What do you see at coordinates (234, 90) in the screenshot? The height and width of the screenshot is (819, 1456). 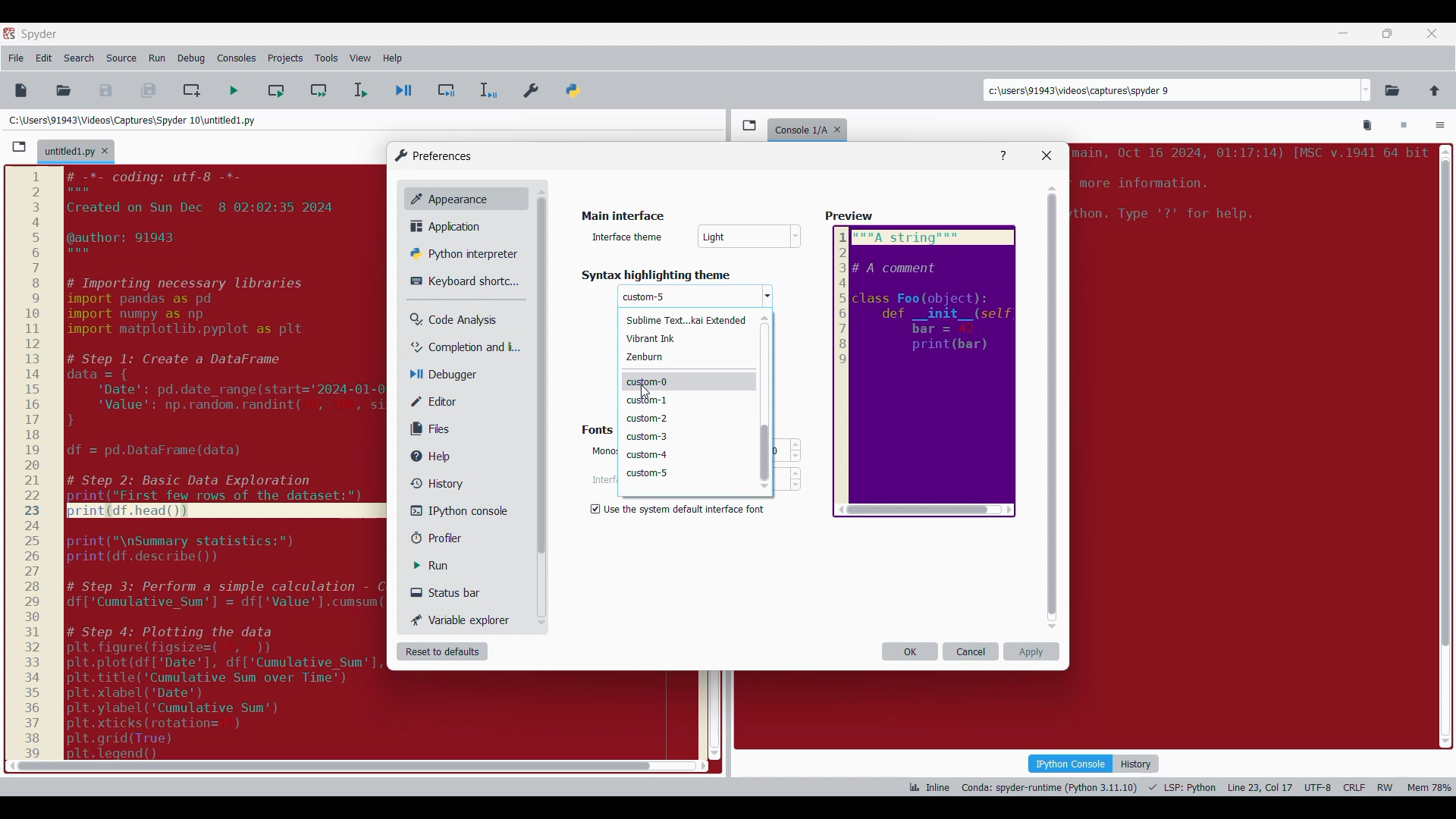 I see `Run file` at bounding box center [234, 90].